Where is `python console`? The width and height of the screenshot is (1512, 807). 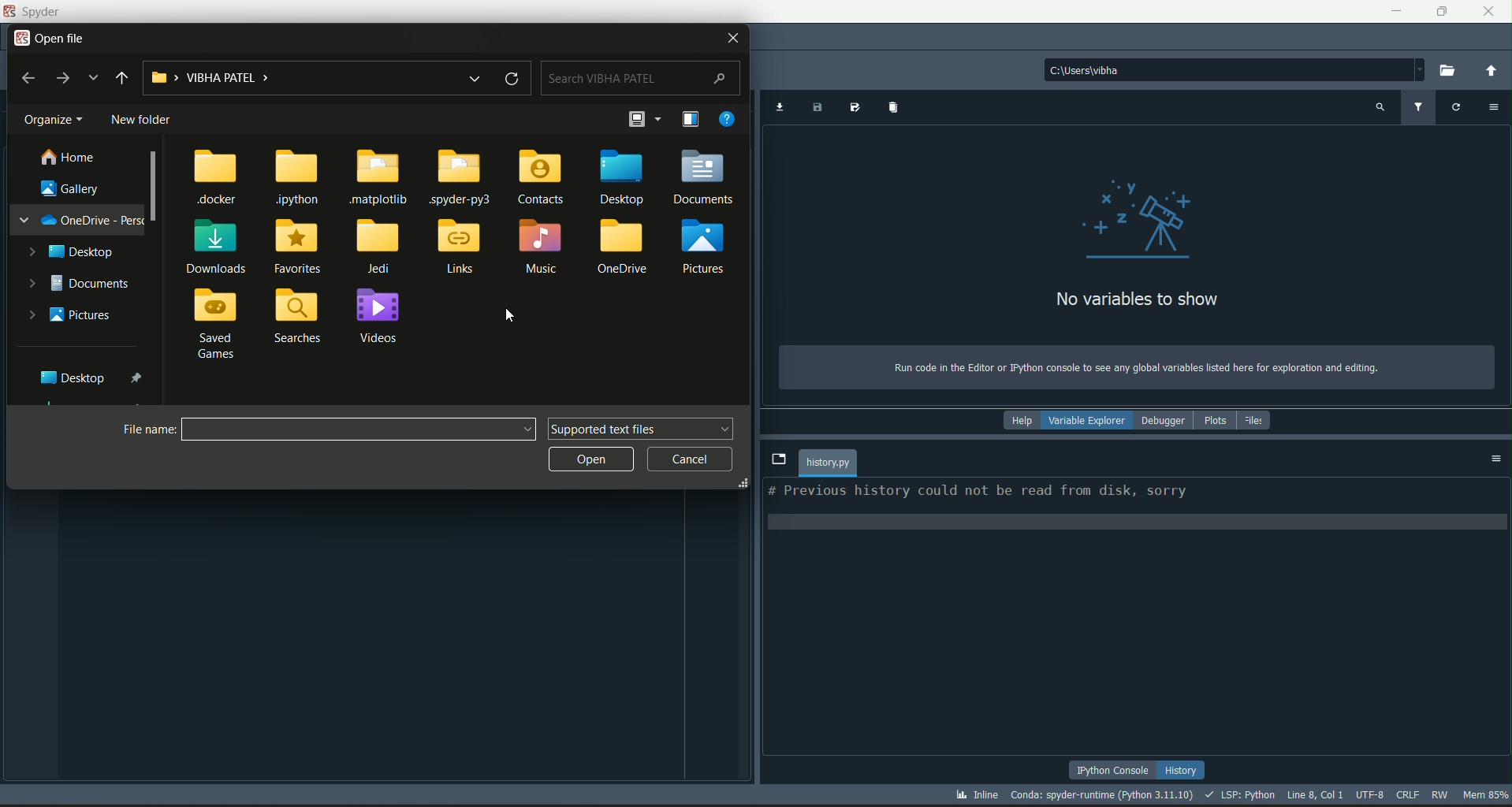
python console is located at coordinates (1115, 769).